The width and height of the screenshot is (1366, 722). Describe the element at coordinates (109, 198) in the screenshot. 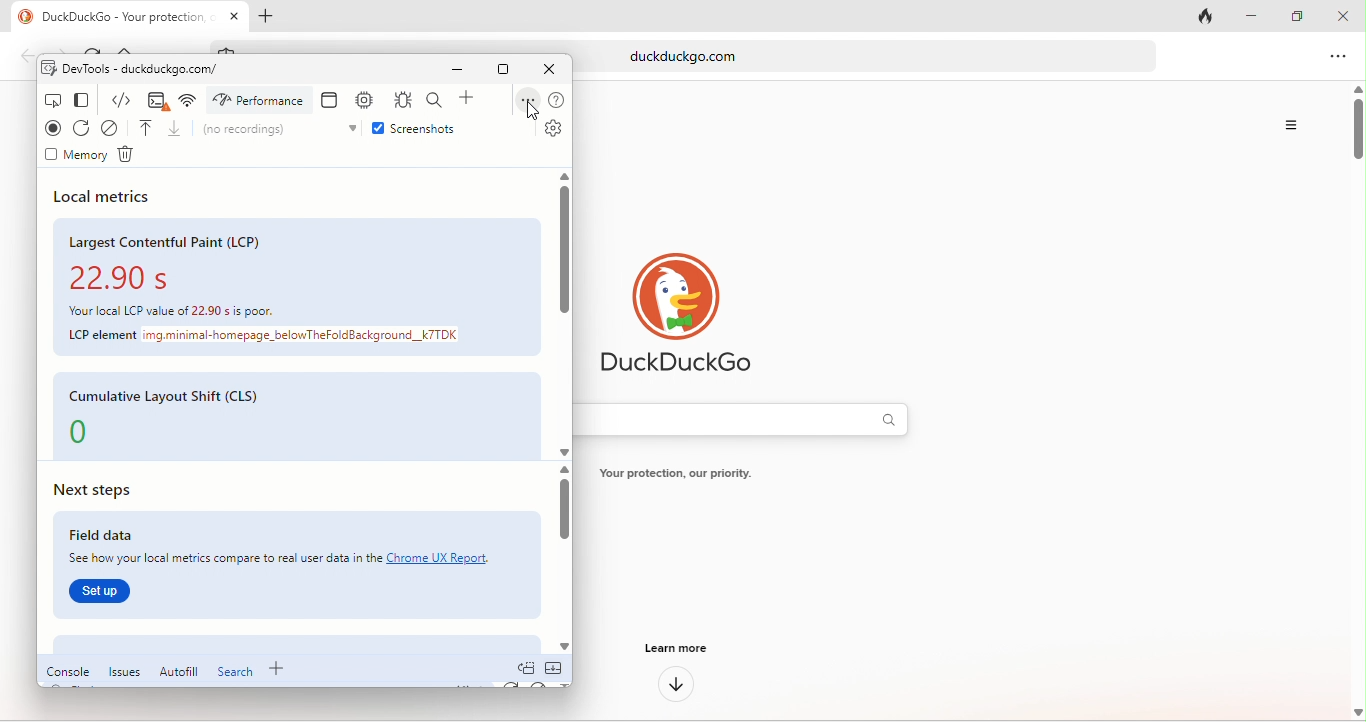

I see `local metrics` at that location.